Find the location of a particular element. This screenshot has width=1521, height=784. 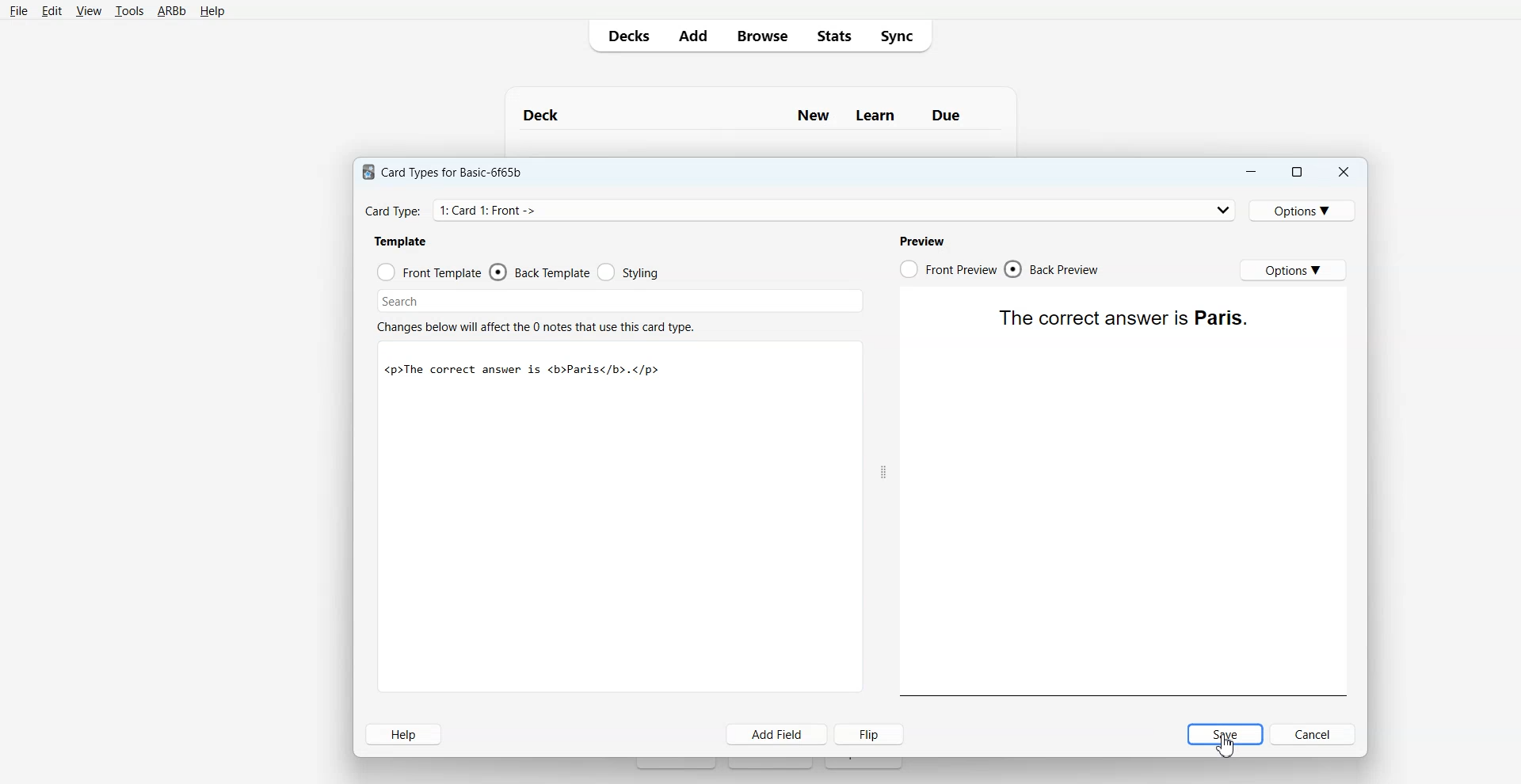

Maximize is located at coordinates (1298, 171).